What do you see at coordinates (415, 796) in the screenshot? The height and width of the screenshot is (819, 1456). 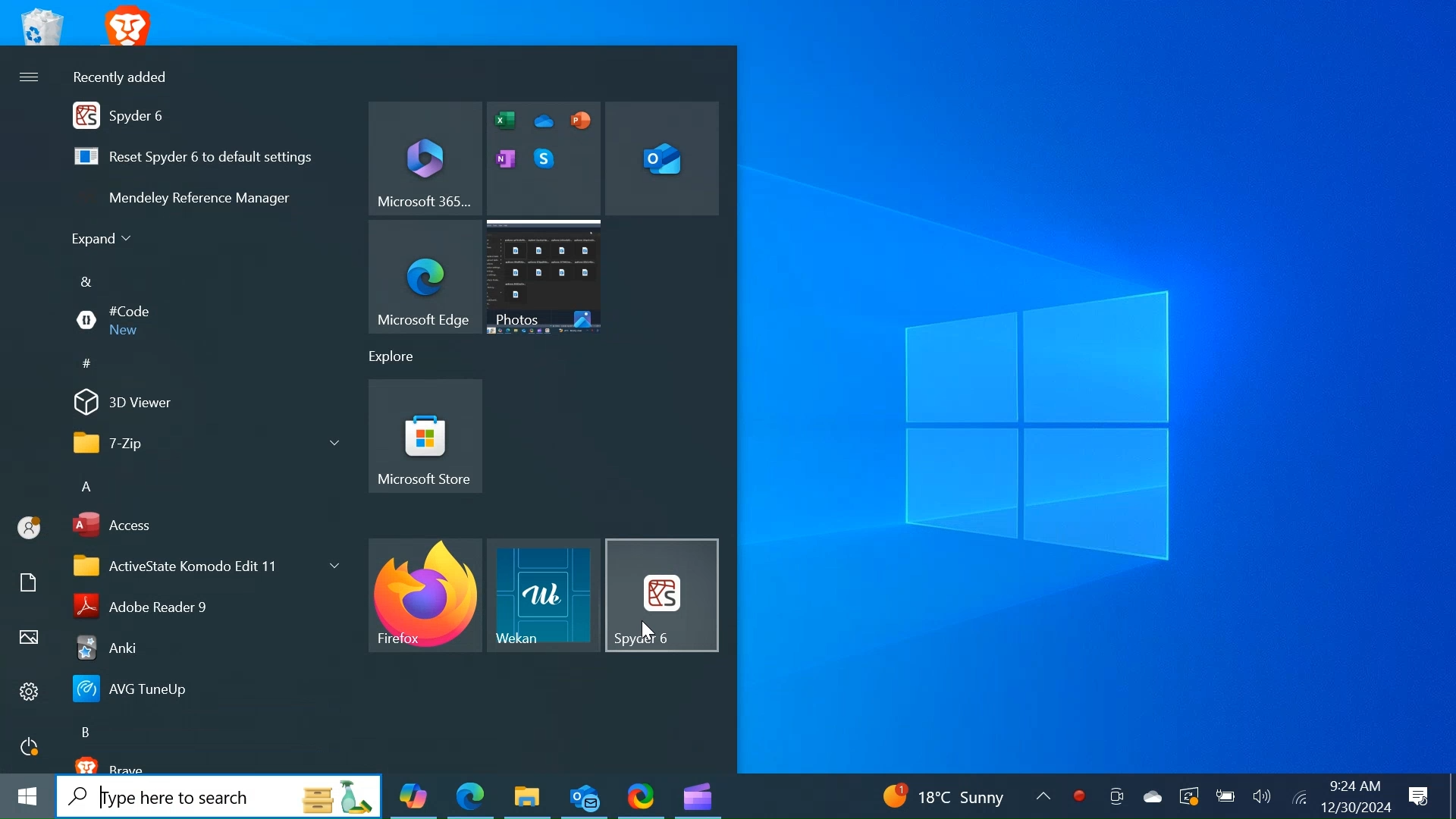 I see `Copilot` at bounding box center [415, 796].